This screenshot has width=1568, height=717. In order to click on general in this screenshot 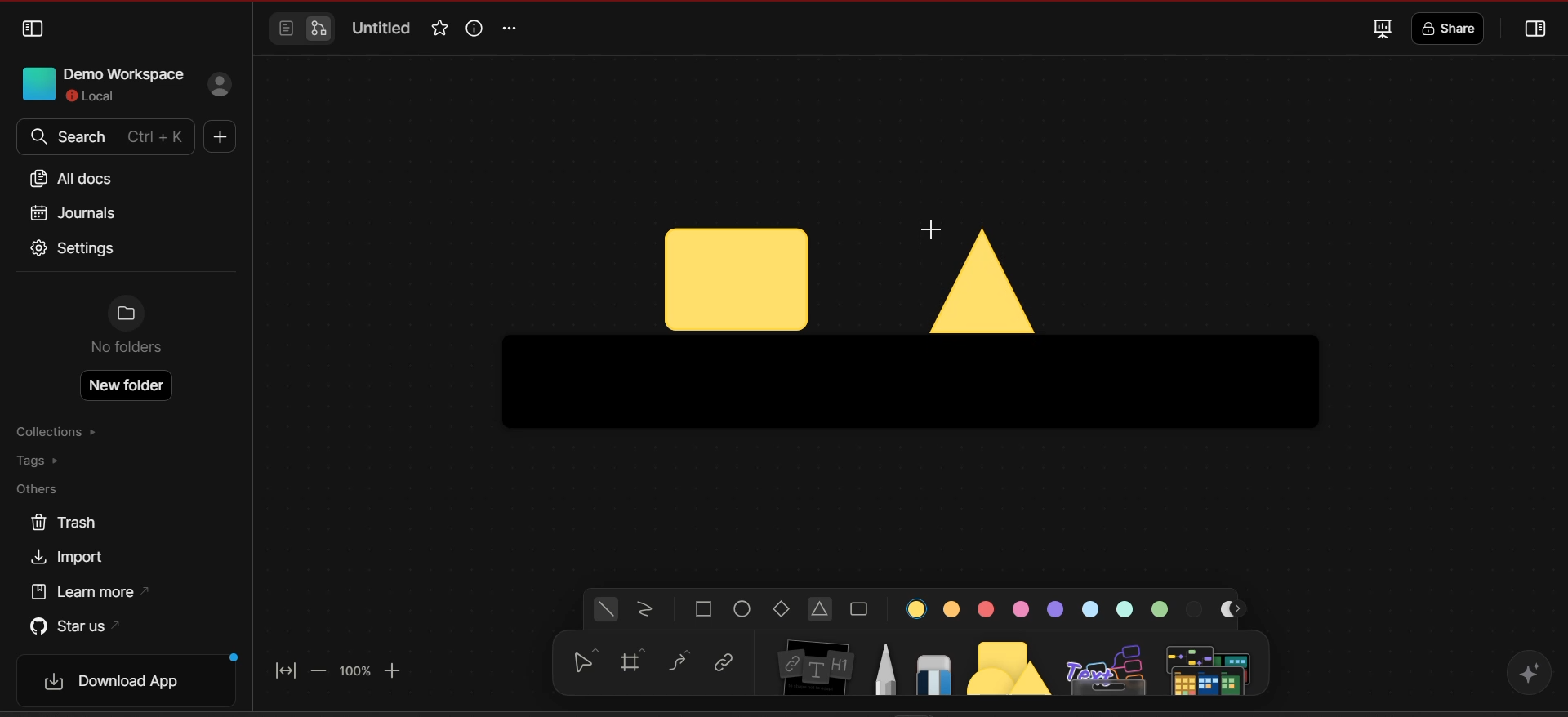, I will do `click(607, 610)`.